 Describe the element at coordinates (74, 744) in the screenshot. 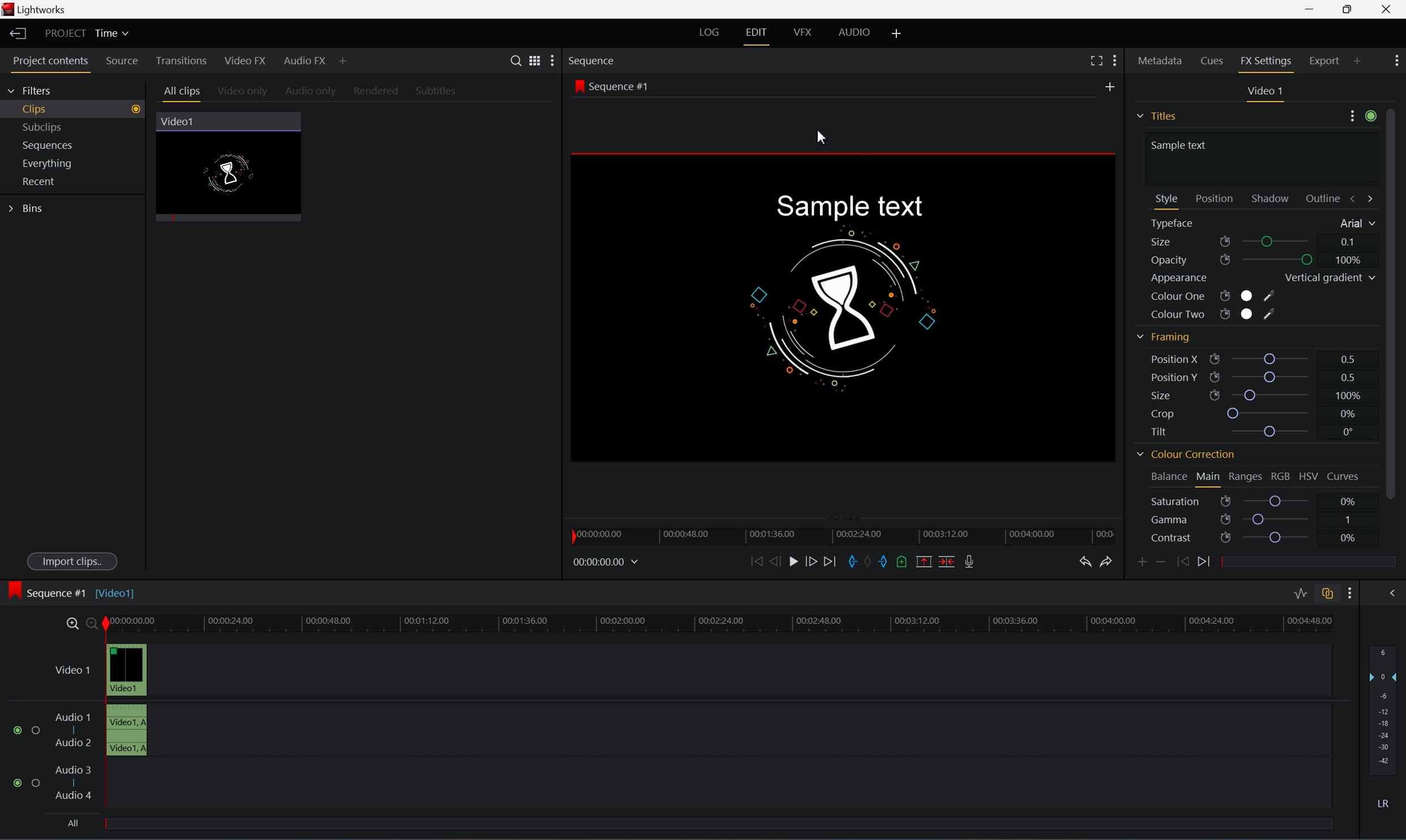

I see `Audio 2` at that location.